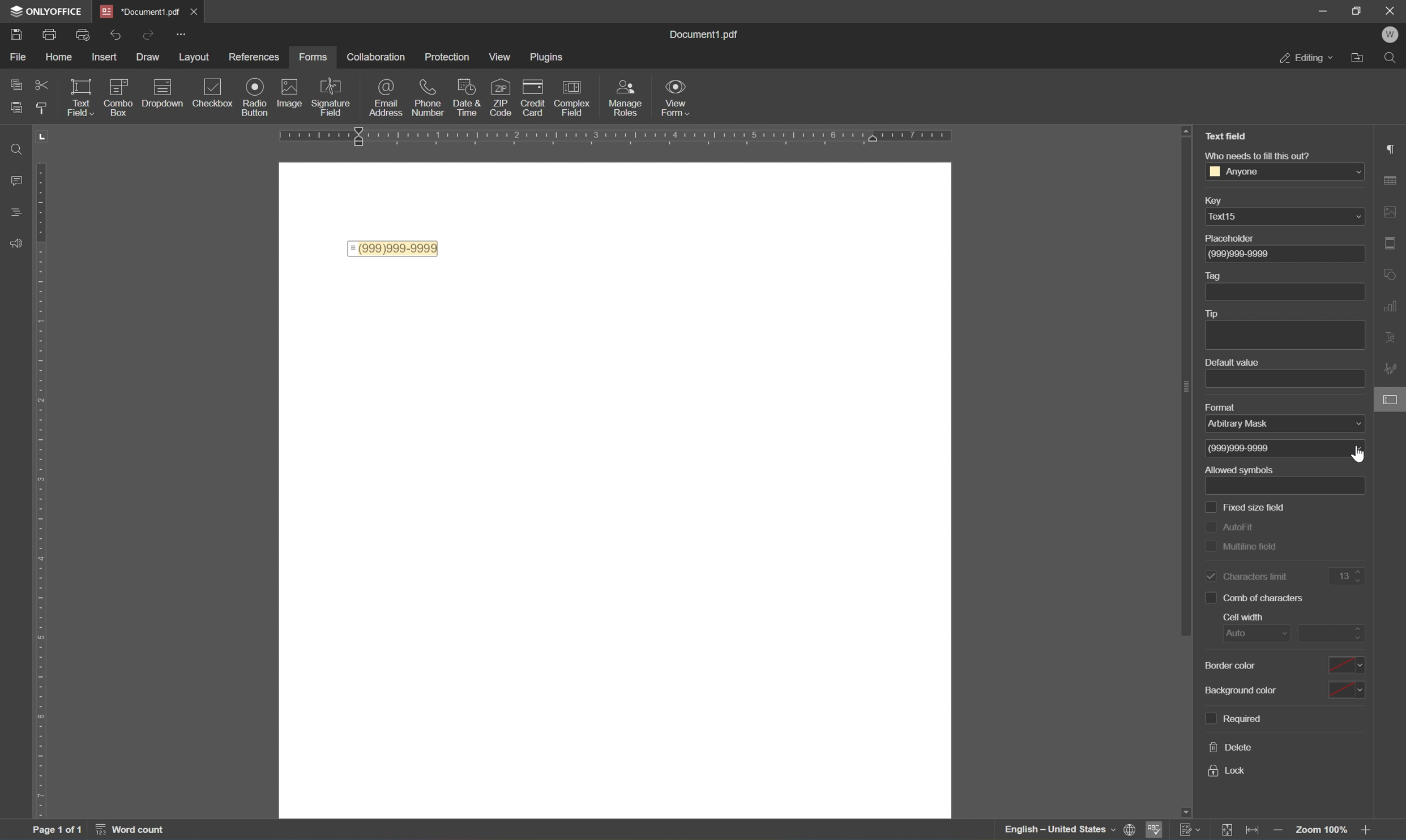  What do you see at coordinates (1179, 383) in the screenshot?
I see `scroll bar` at bounding box center [1179, 383].